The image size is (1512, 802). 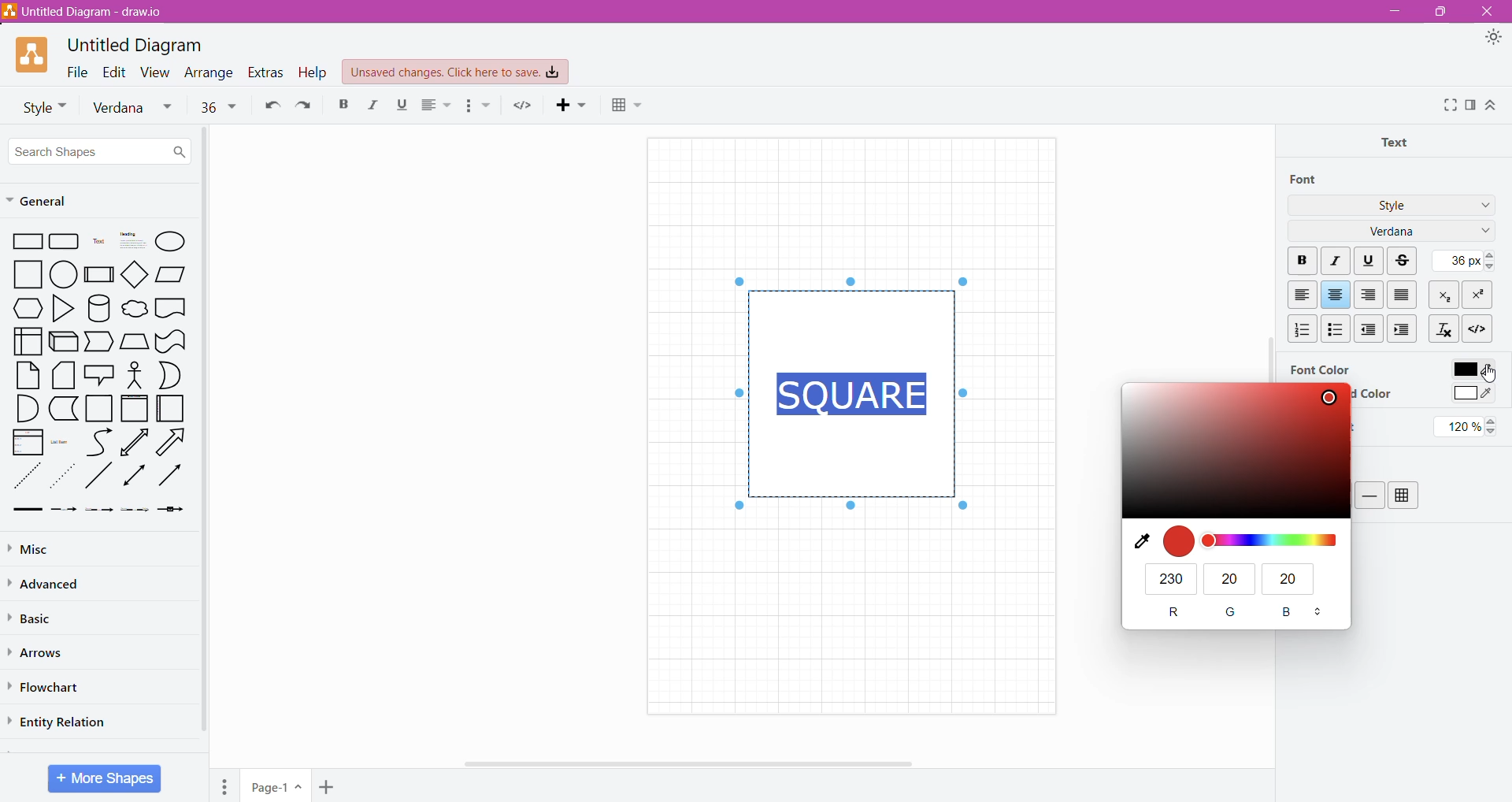 What do you see at coordinates (1482, 207) in the screenshot?
I see `More Styles` at bounding box center [1482, 207].